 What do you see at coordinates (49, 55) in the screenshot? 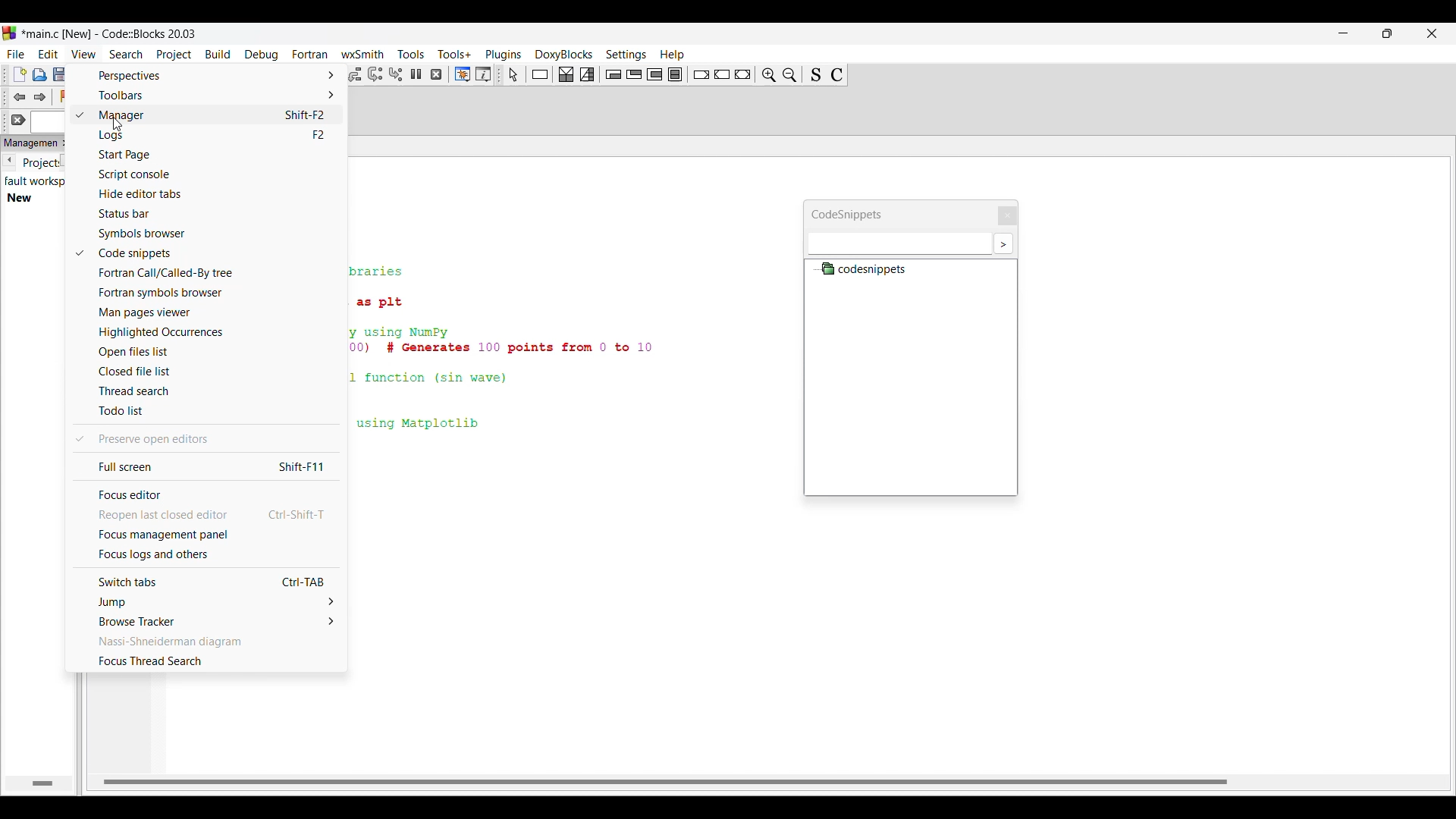
I see `Edit menu` at bounding box center [49, 55].